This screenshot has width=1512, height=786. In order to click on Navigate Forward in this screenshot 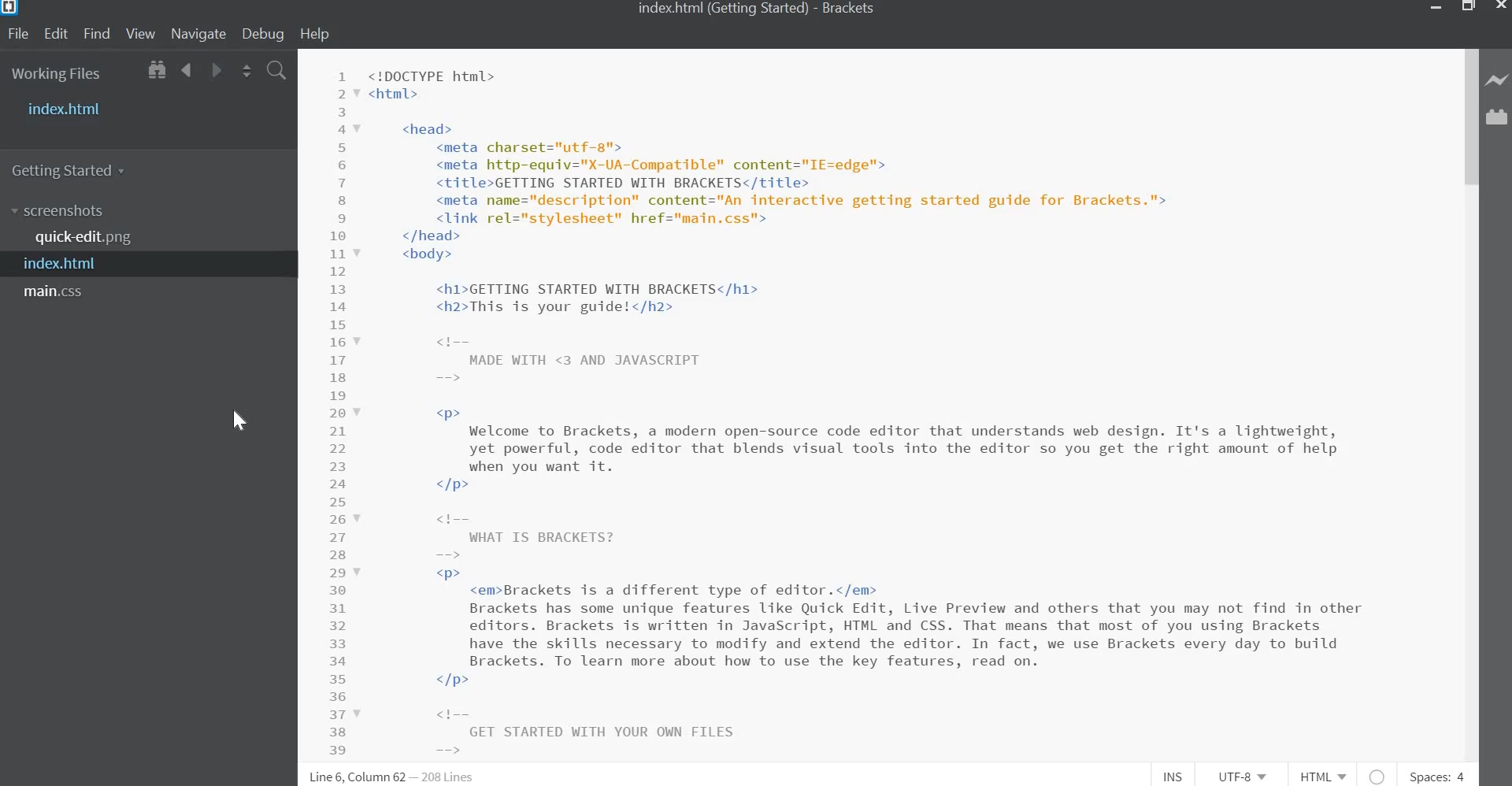, I will do `click(214, 71)`.